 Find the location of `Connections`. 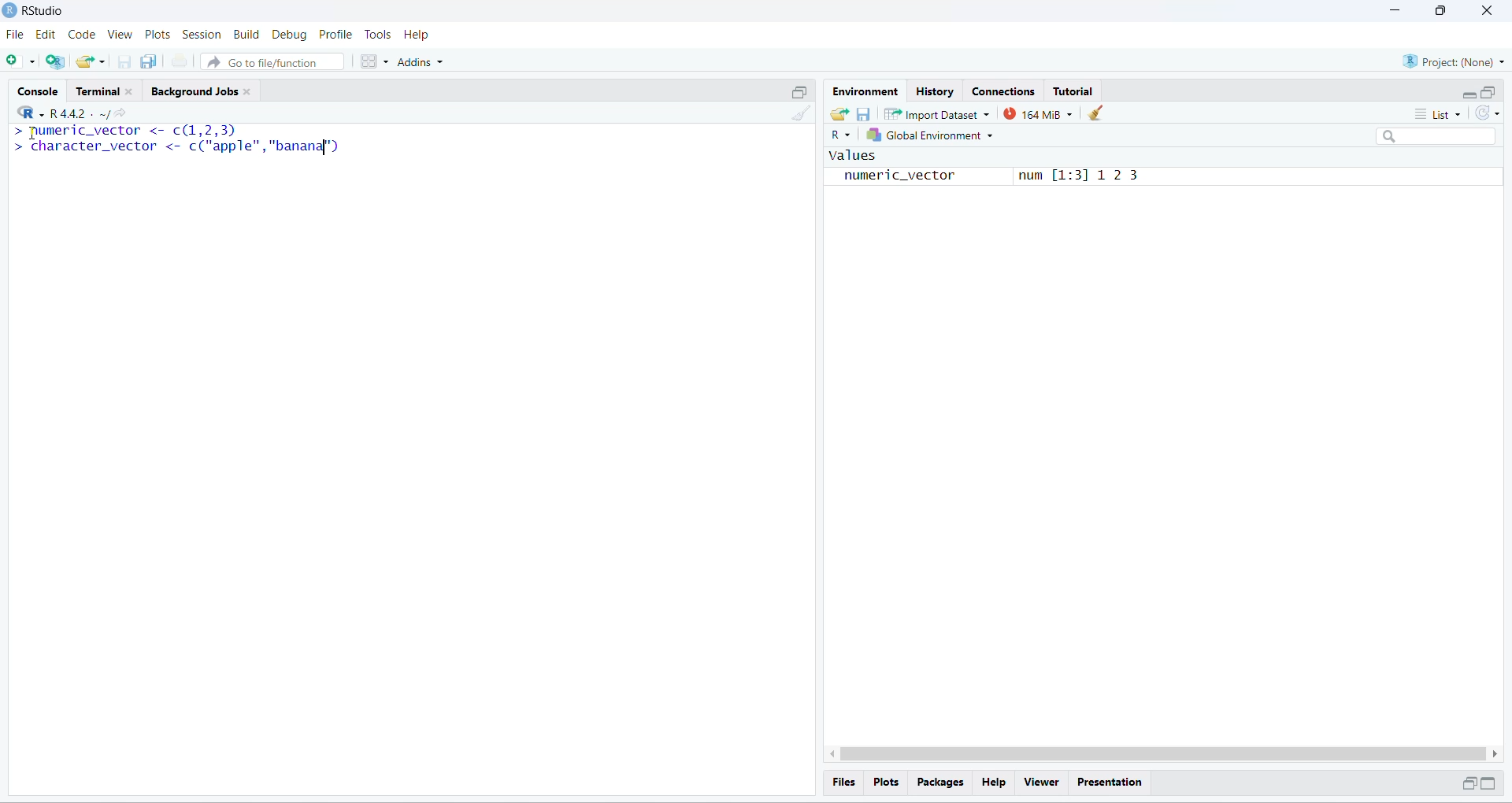

Connections is located at coordinates (1002, 90).